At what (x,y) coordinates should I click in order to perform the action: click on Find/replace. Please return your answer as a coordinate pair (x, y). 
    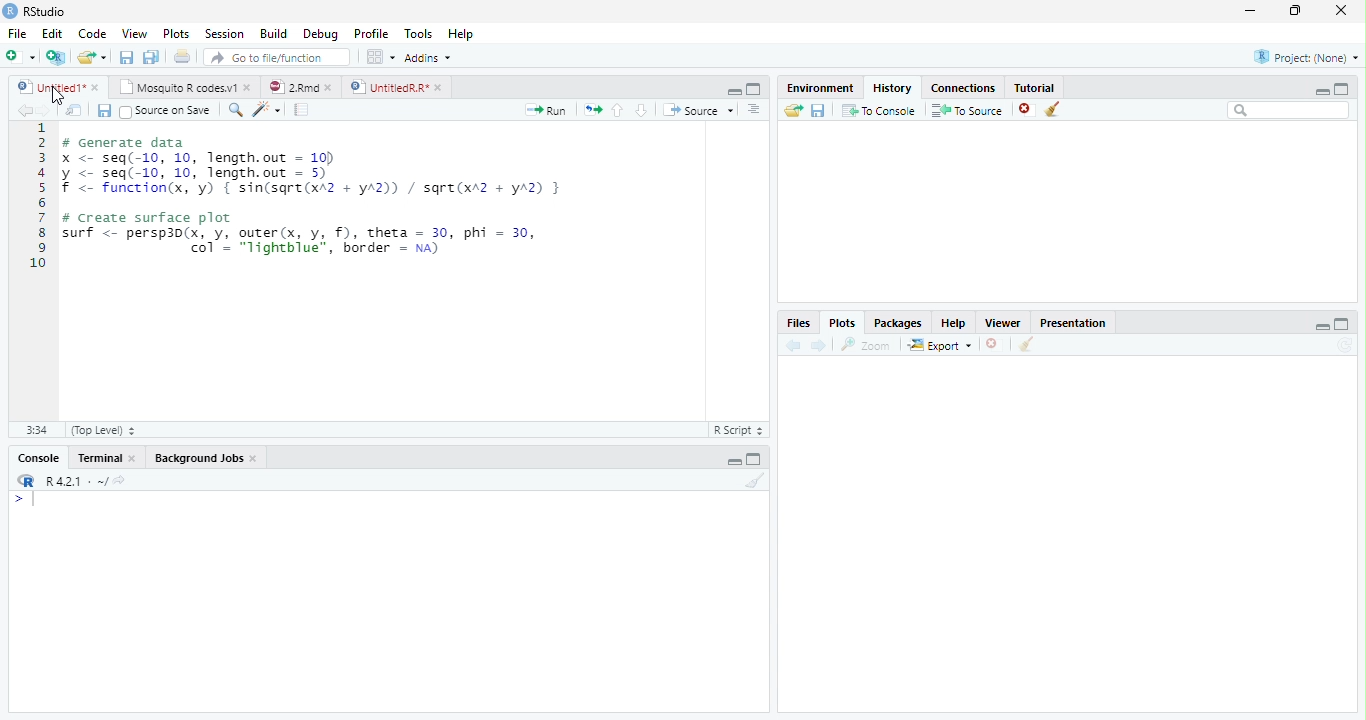
    Looking at the image, I should click on (234, 110).